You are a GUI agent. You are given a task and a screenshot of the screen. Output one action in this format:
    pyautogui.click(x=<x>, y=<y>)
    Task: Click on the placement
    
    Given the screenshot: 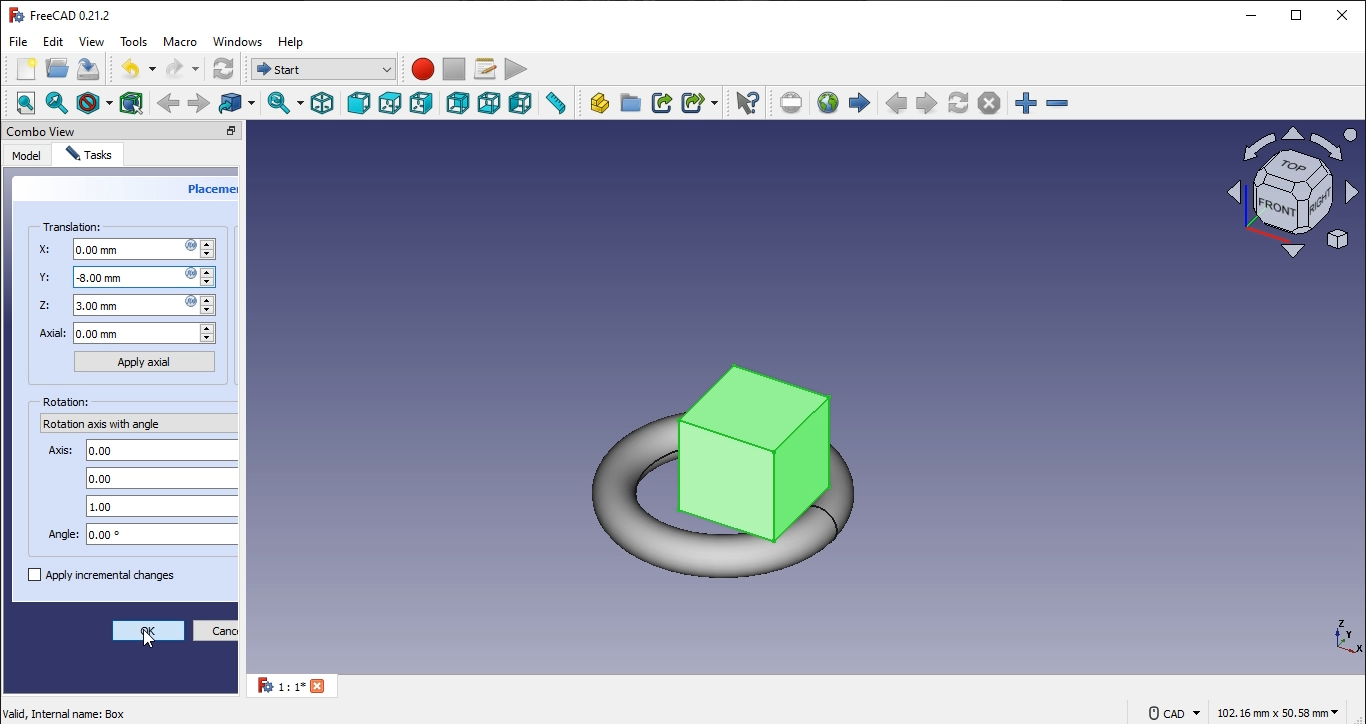 What is the action you would take?
    pyautogui.click(x=211, y=192)
    